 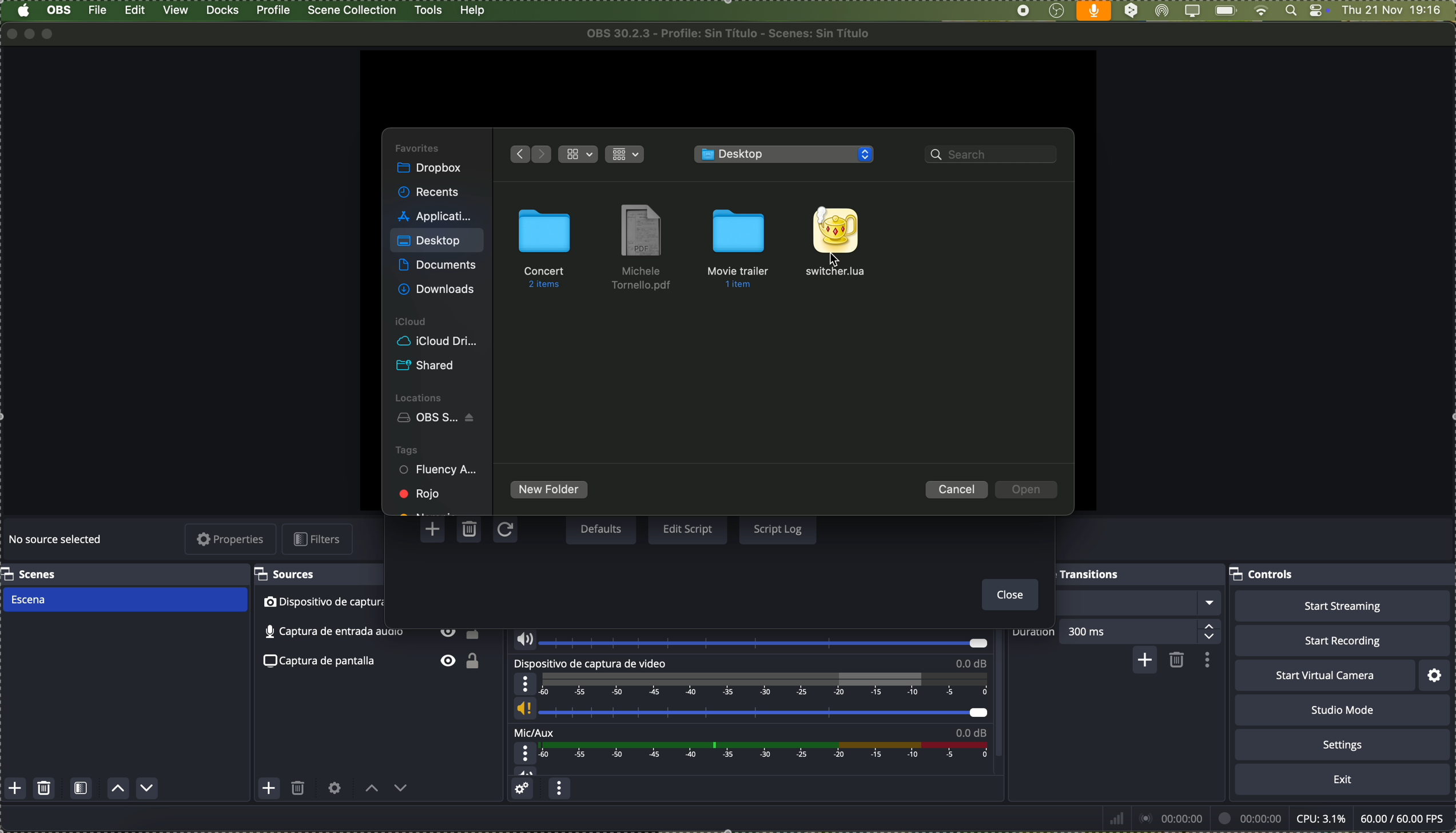 I want to click on edit, so click(x=135, y=11).